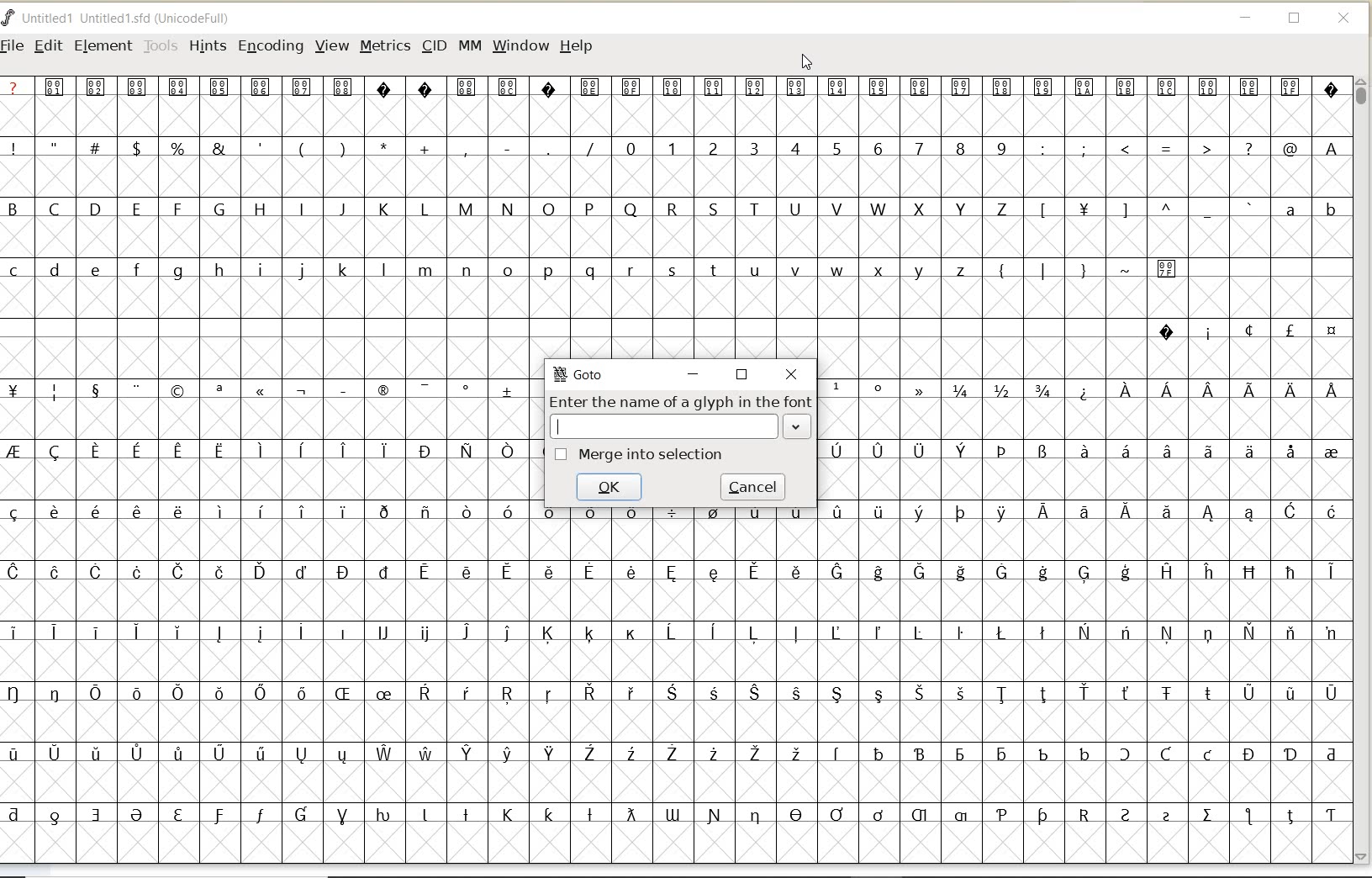 This screenshot has width=1372, height=878. What do you see at coordinates (300, 147) in the screenshot?
I see `special characters` at bounding box center [300, 147].